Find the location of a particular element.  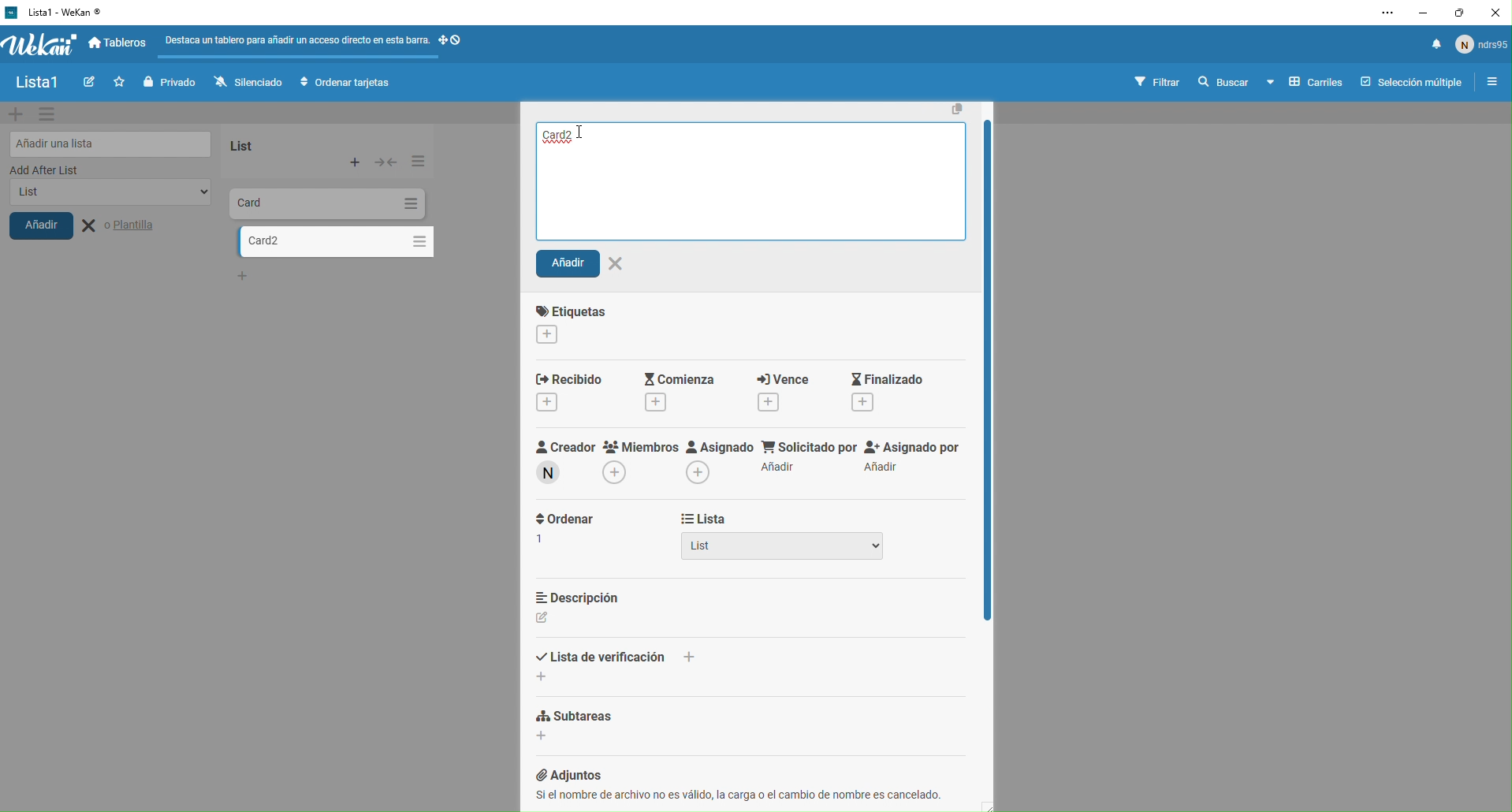

add new  is located at coordinates (16, 114).